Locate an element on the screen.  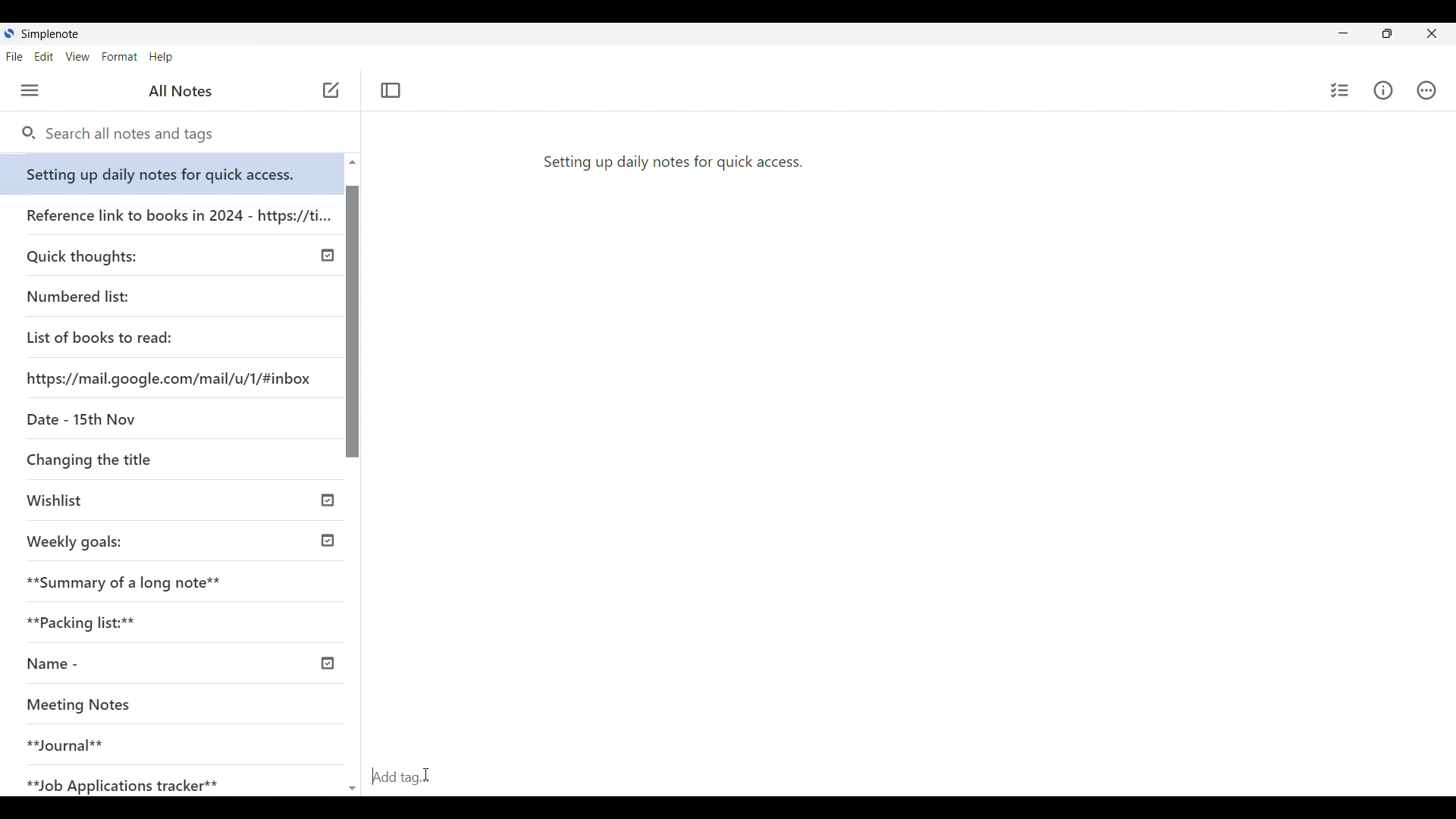
Close left sidebar is located at coordinates (391, 91).